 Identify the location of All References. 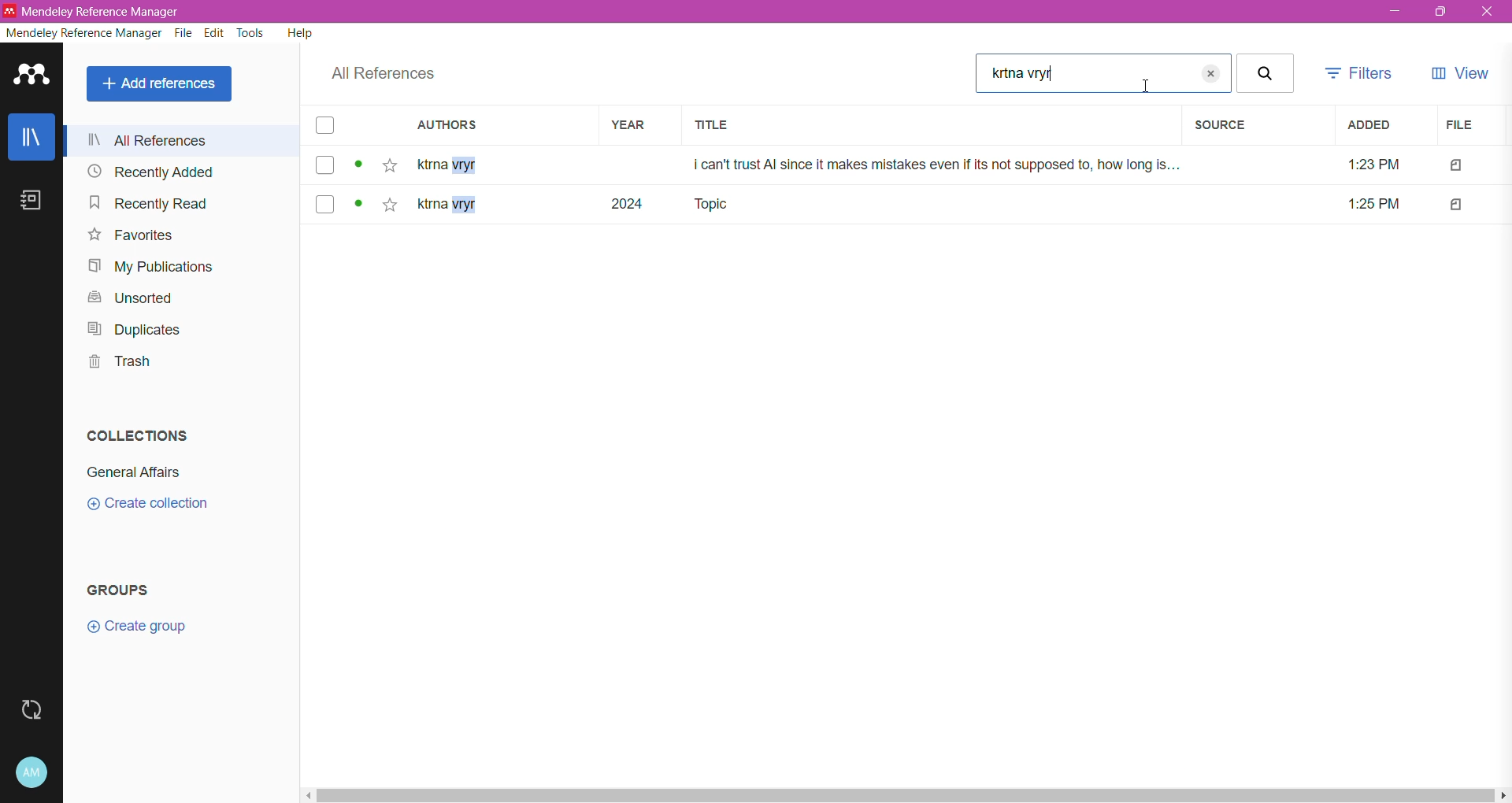
(381, 74).